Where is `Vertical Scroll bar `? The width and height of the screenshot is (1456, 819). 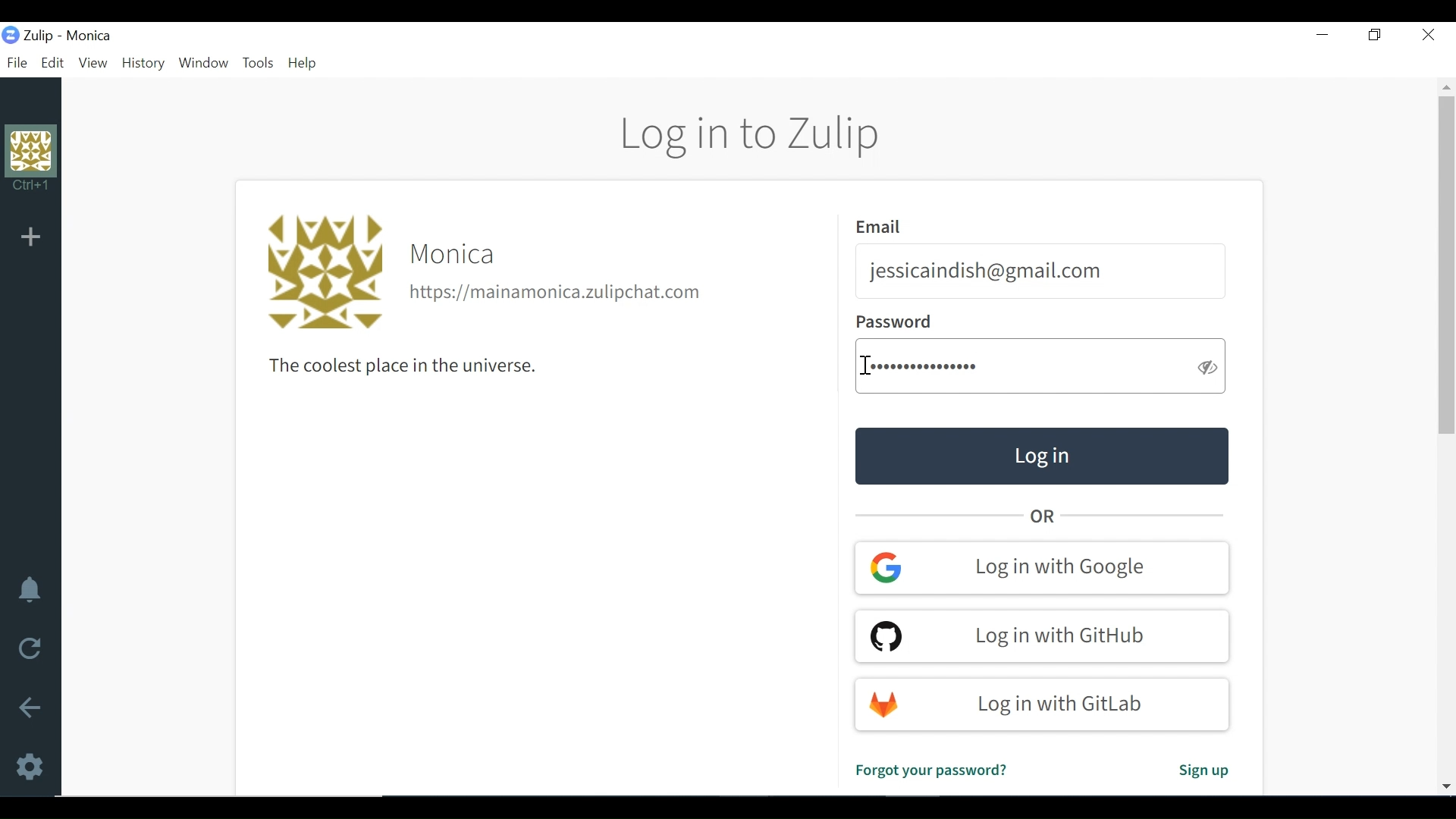 Vertical Scroll bar  is located at coordinates (1447, 265).